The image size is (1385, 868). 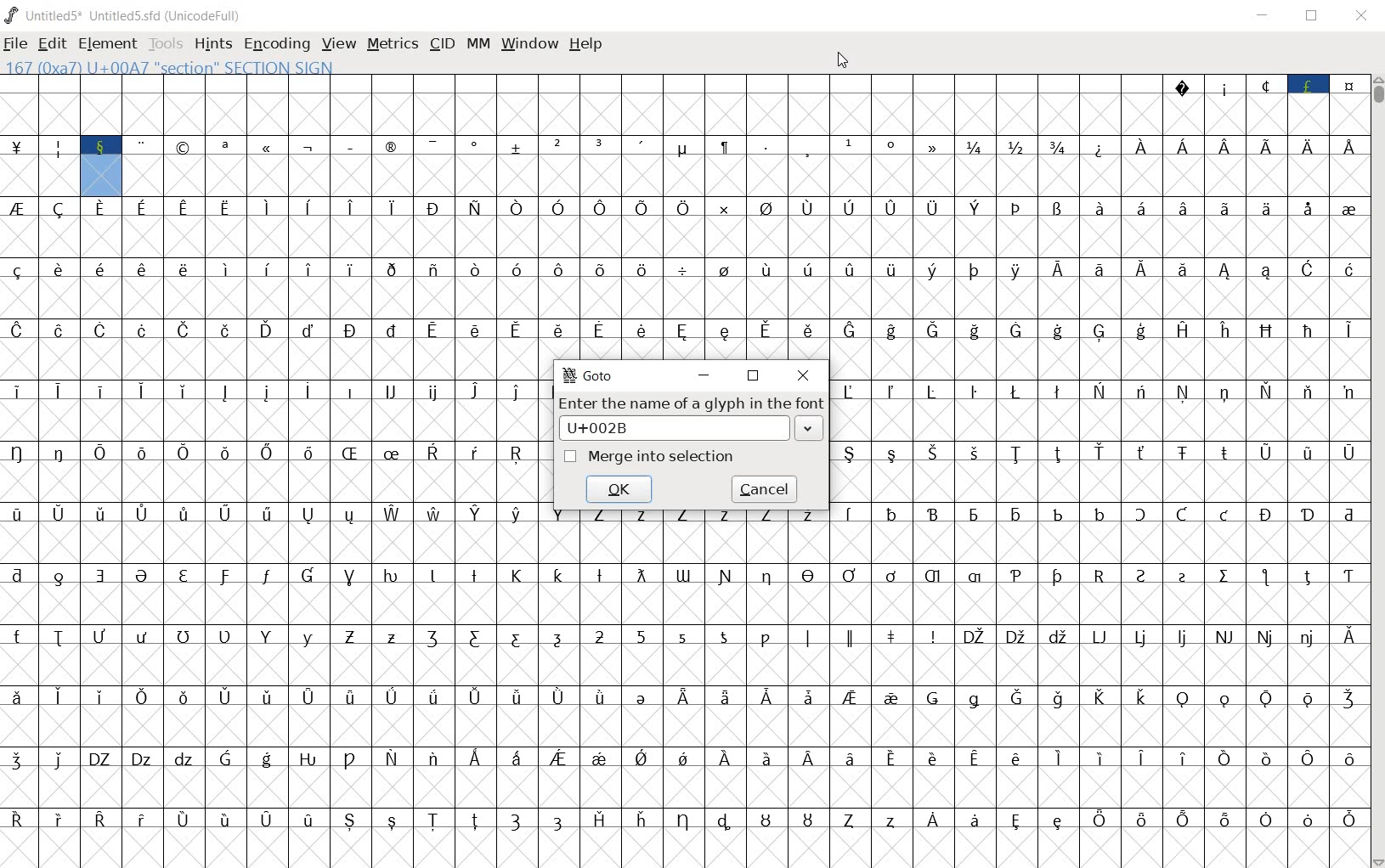 What do you see at coordinates (1360, 17) in the screenshot?
I see `close` at bounding box center [1360, 17].